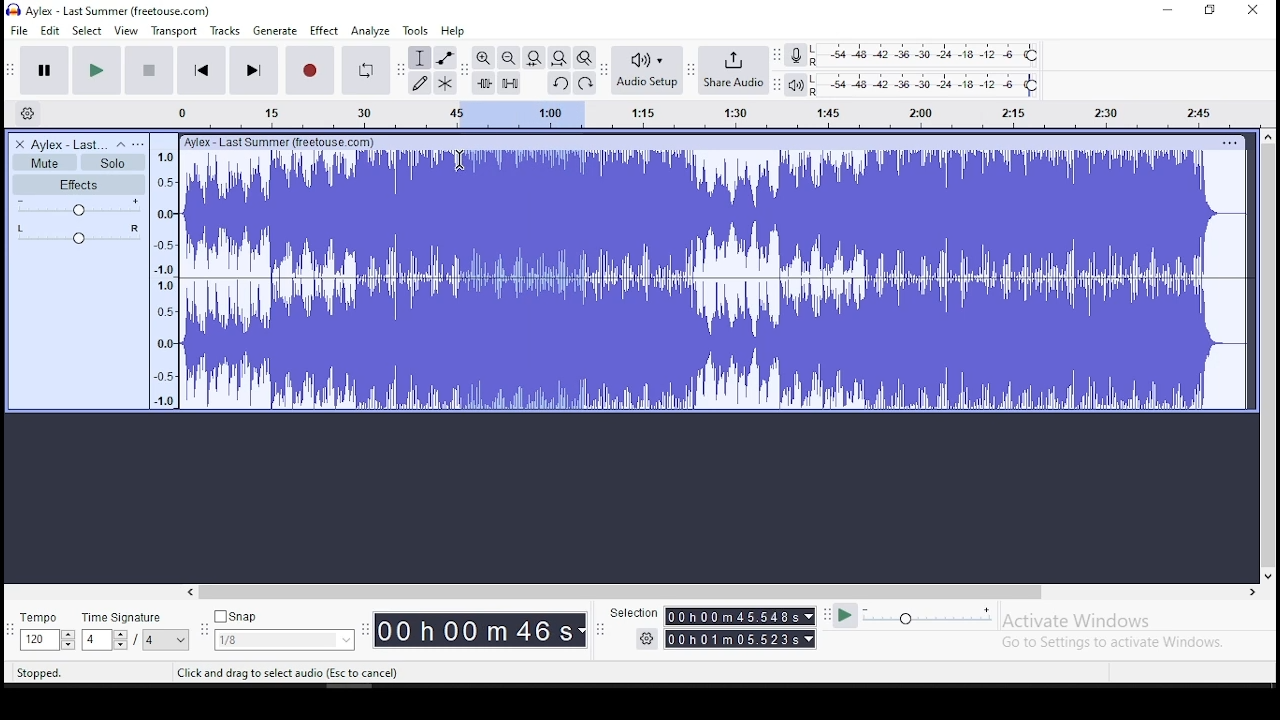 The height and width of the screenshot is (720, 1280). I want to click on 00h 00m 00 s, so click(477, 628).